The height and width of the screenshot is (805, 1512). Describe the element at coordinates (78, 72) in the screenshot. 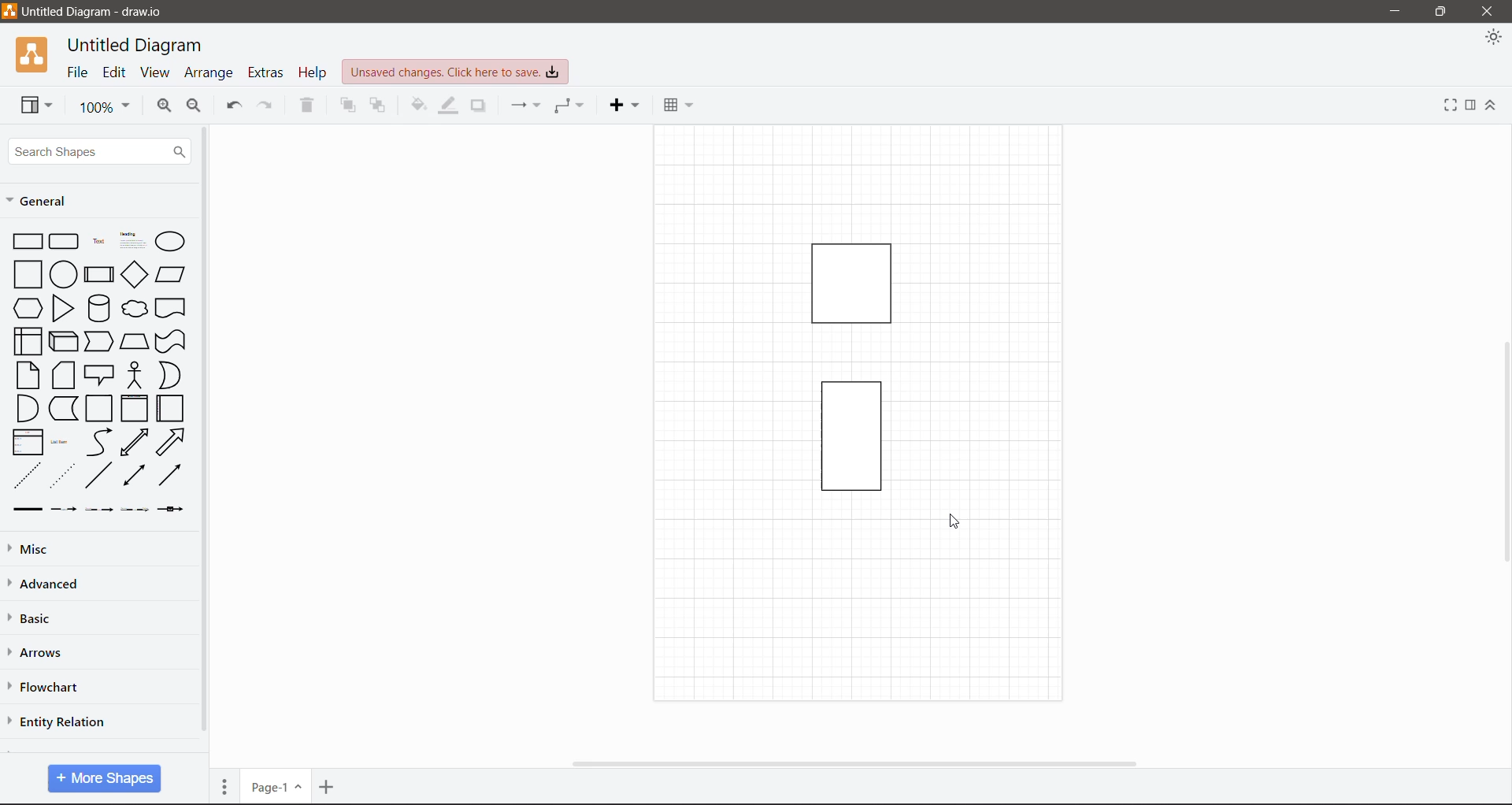

I see `File` at that location.